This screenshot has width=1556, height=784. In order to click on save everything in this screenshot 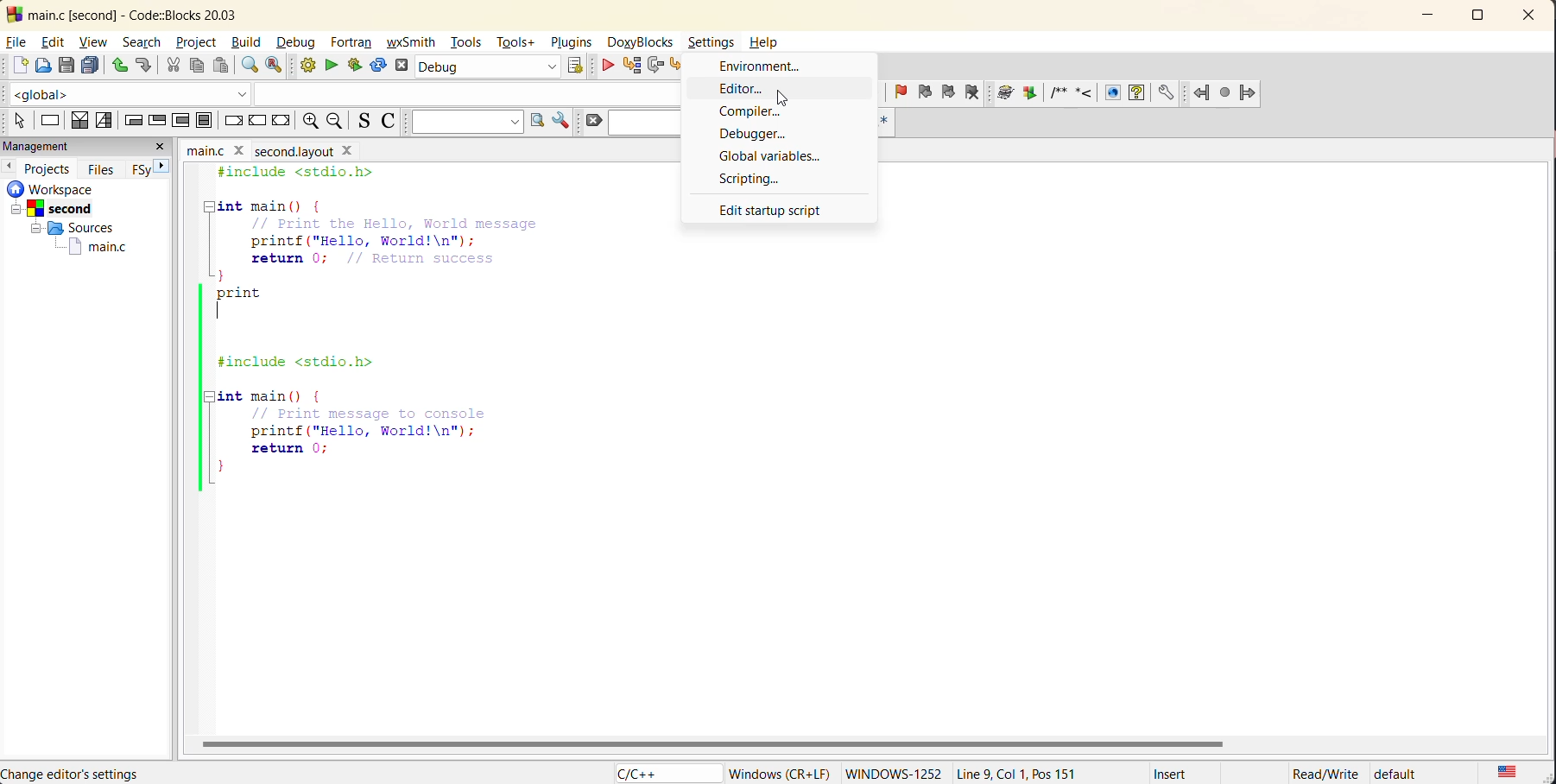, I will do `click(92, 66)`.